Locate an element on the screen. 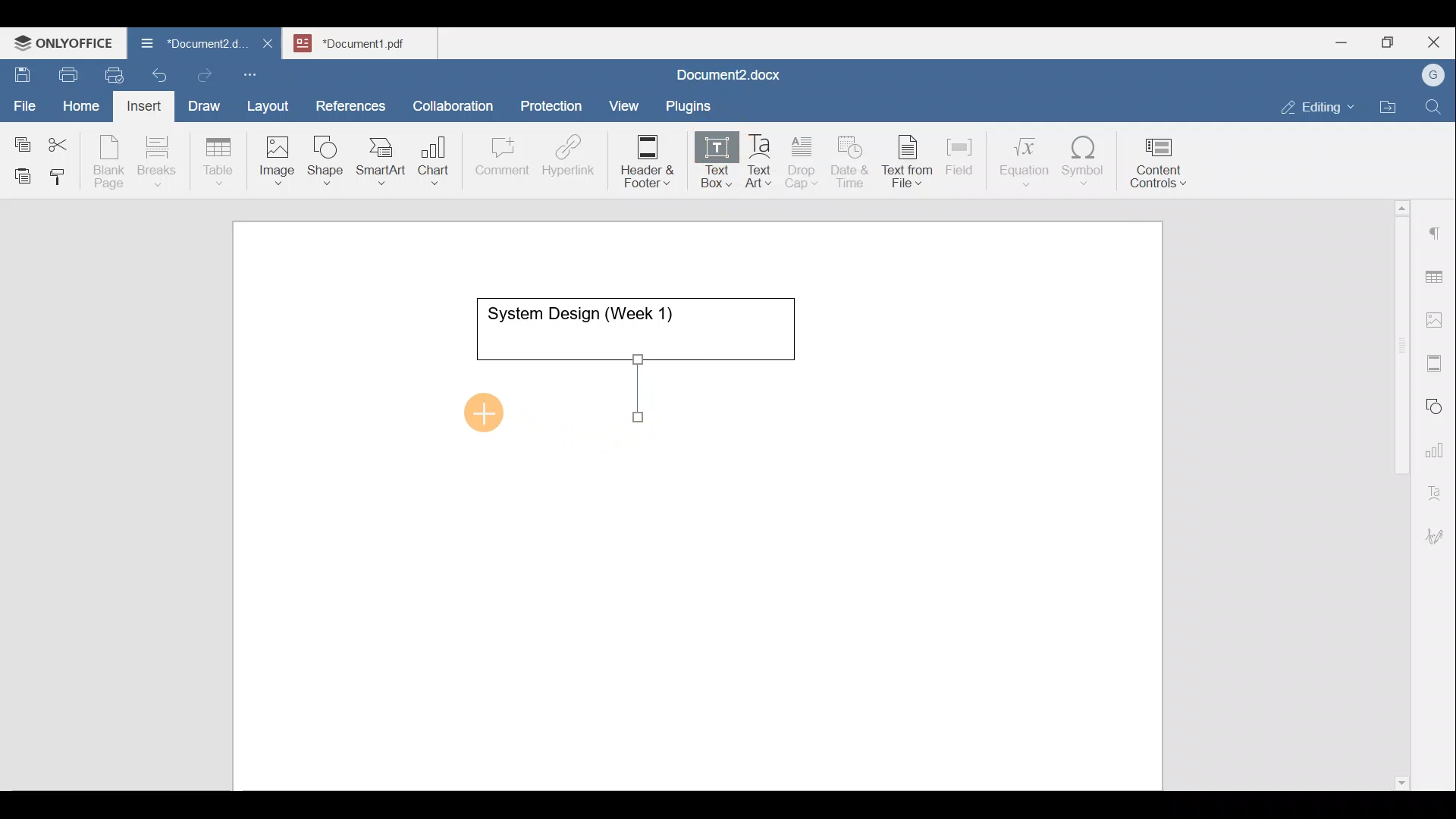  Redo is located at coordinates (204, 76).